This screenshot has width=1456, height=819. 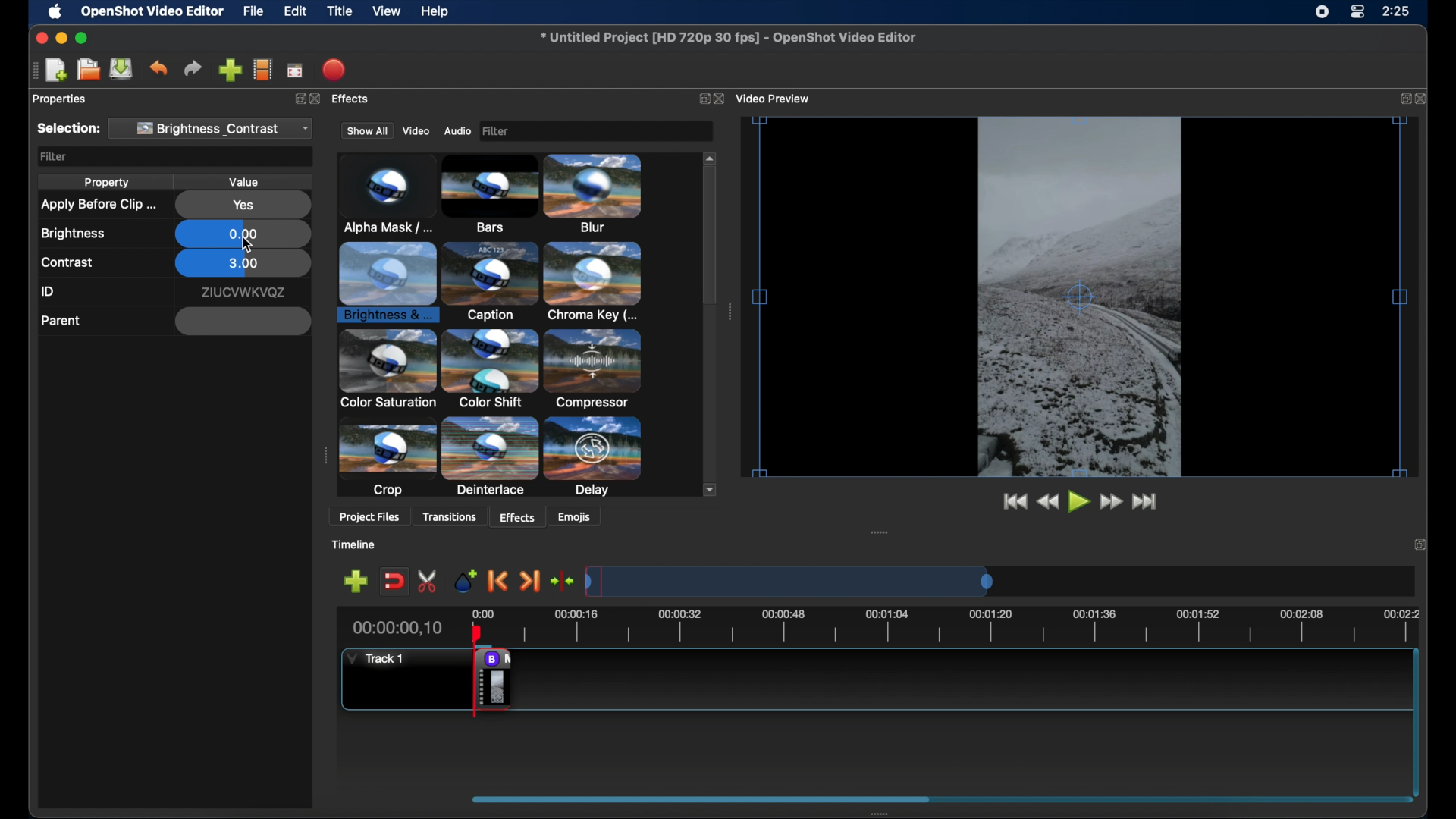 What do you see at coordinates (356, 101) in the screenshot?
I see `effects` at bounding box center [356, 101].